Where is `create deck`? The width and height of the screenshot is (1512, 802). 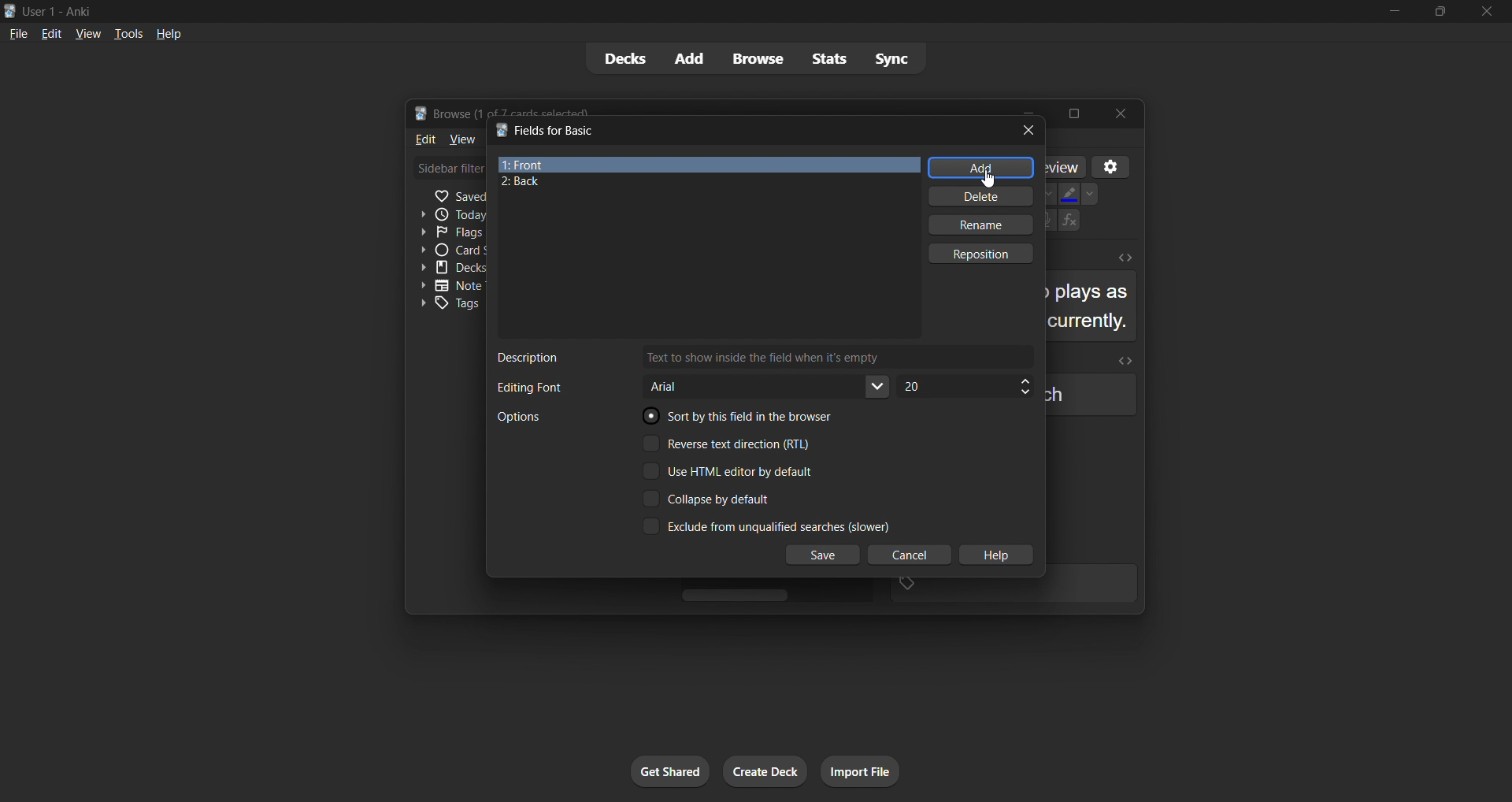
create deck is located at coordinates (771, 773).